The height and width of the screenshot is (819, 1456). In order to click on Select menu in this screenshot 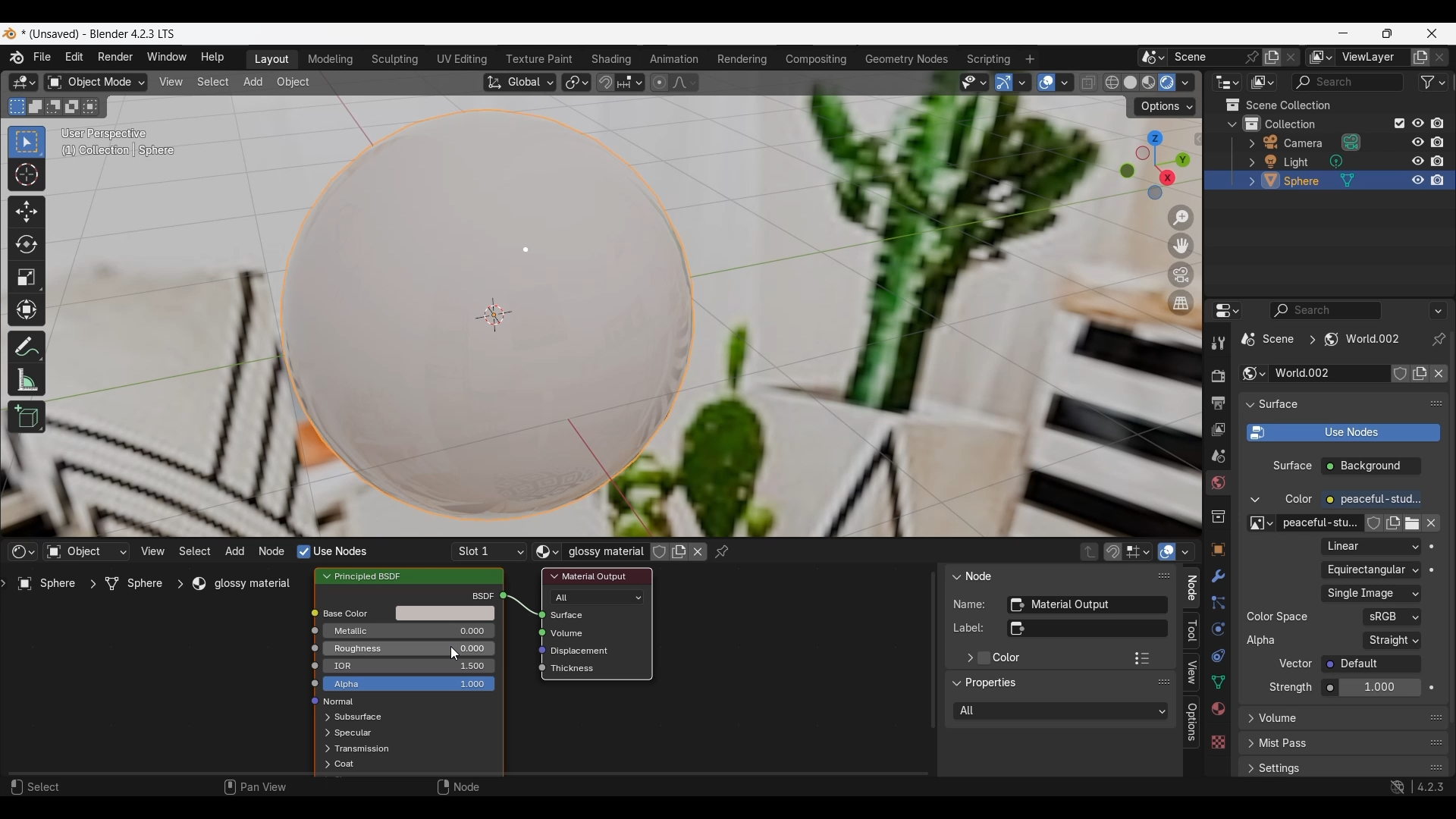, I will do `click(194, 551)`.